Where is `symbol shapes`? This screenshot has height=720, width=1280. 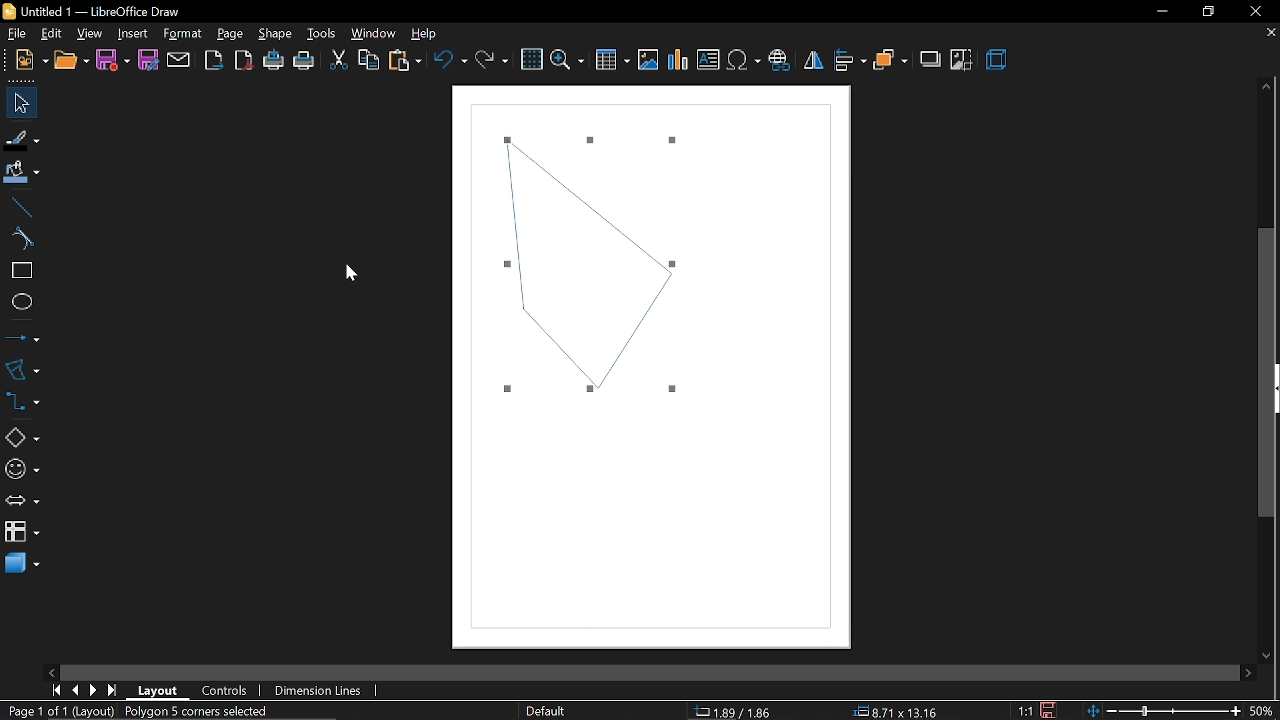
symbol shapes is located at coordinates (21, 469).